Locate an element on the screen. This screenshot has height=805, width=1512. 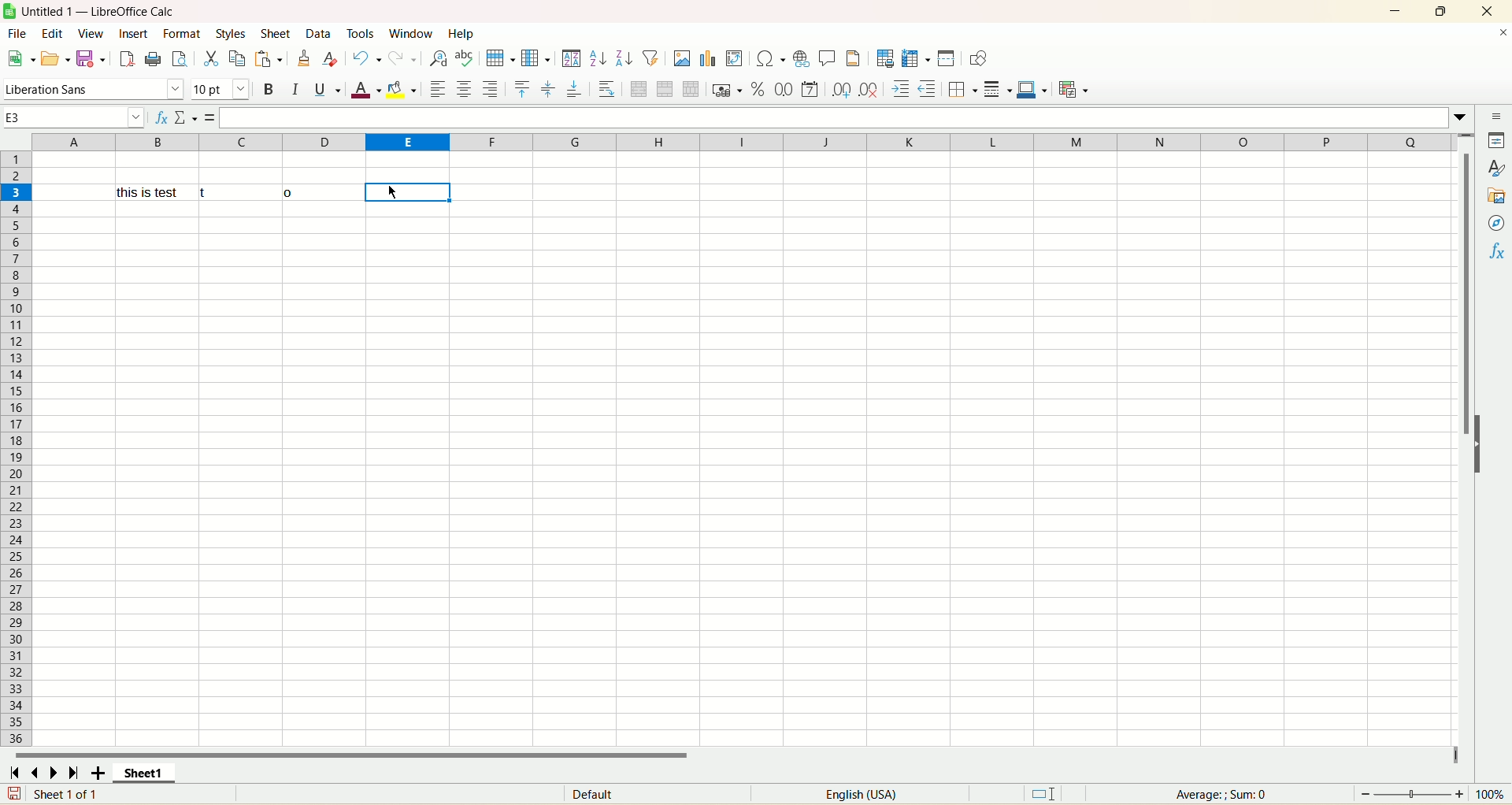
sheet1 is located at coordinates (157, 770).